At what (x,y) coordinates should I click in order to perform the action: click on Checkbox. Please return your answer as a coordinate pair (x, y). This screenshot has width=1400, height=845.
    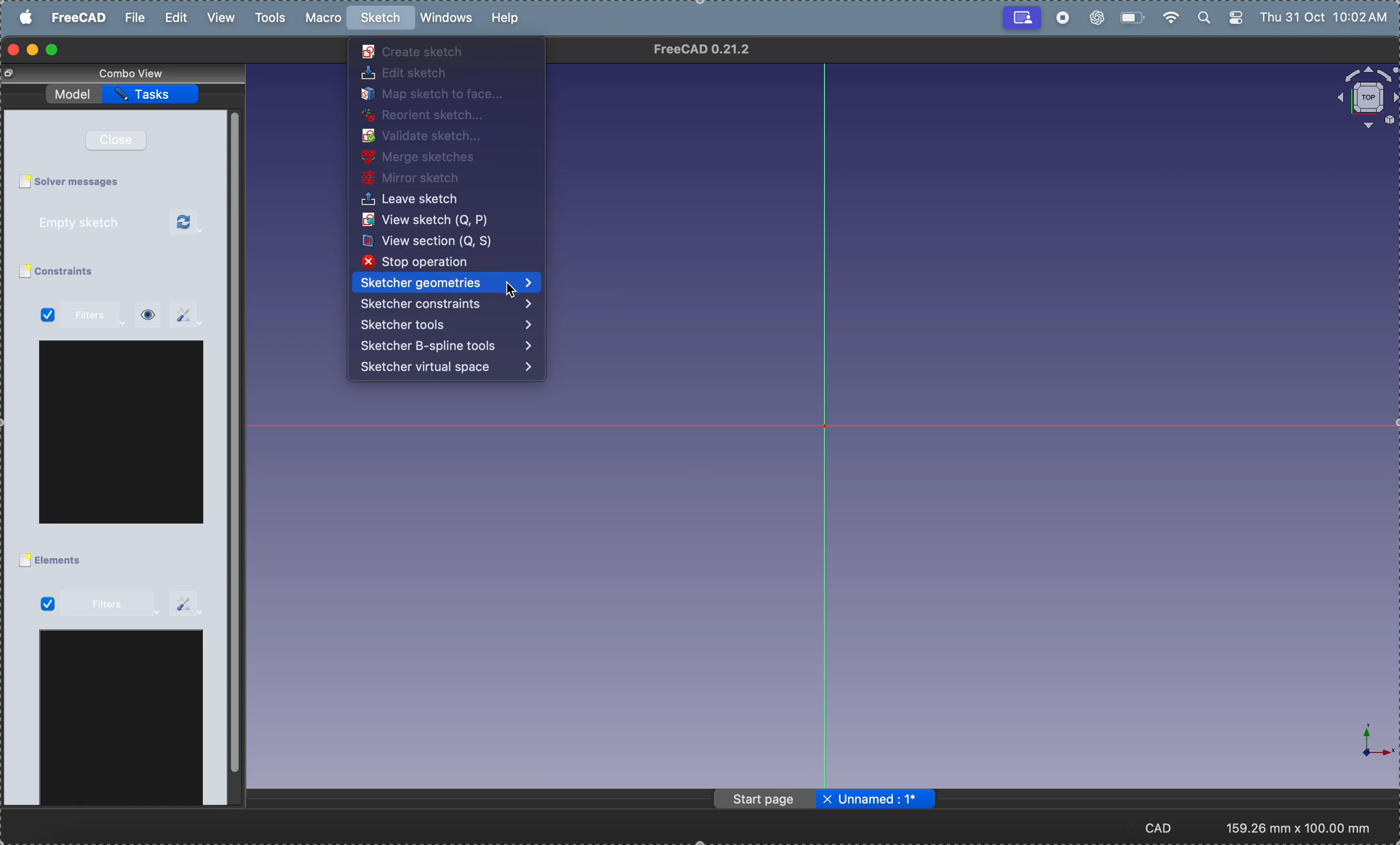
    Looking at the image, I should click on (23, 272).